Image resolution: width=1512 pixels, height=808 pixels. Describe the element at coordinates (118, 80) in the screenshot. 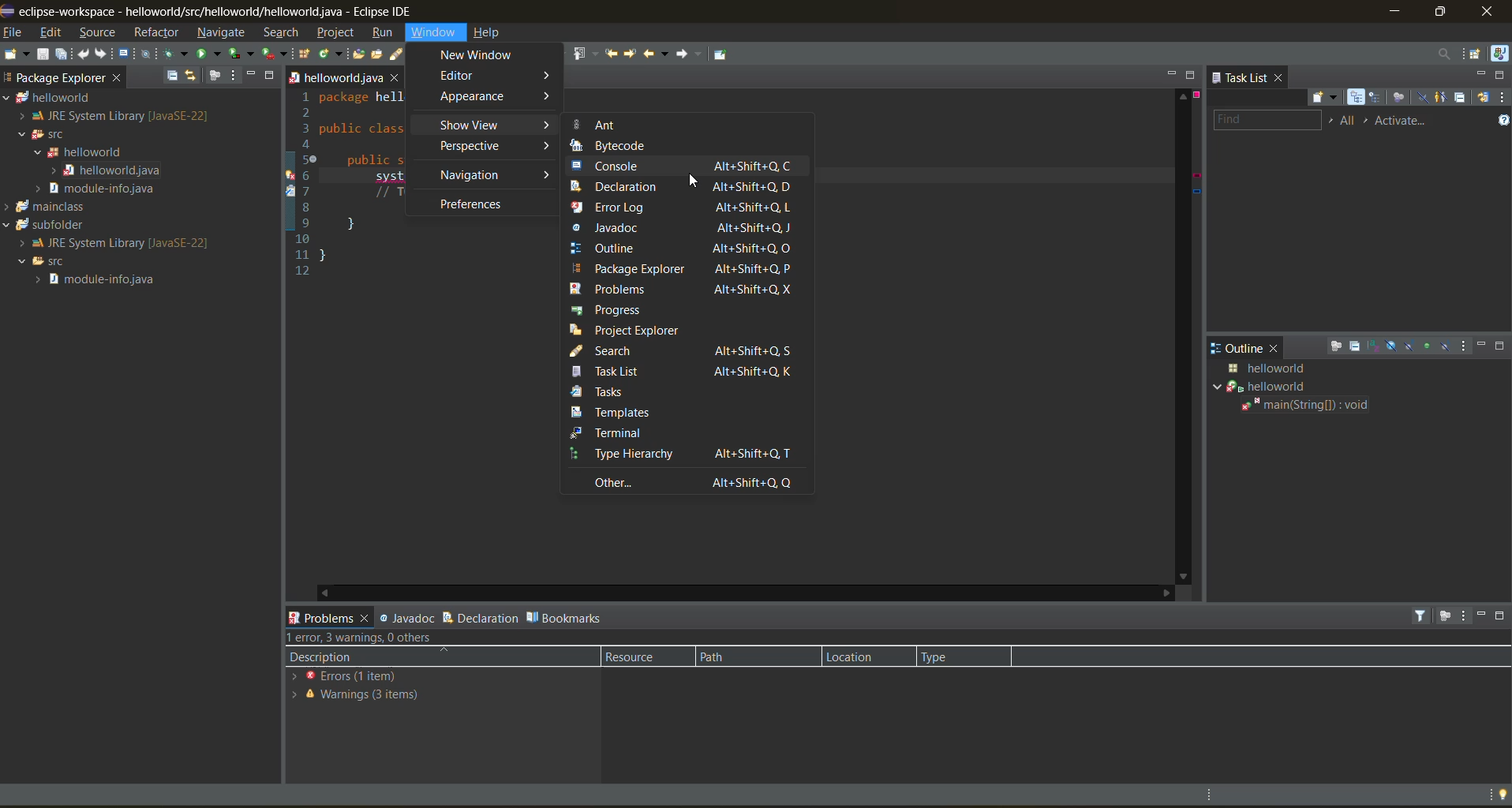

I see `close` at that location.